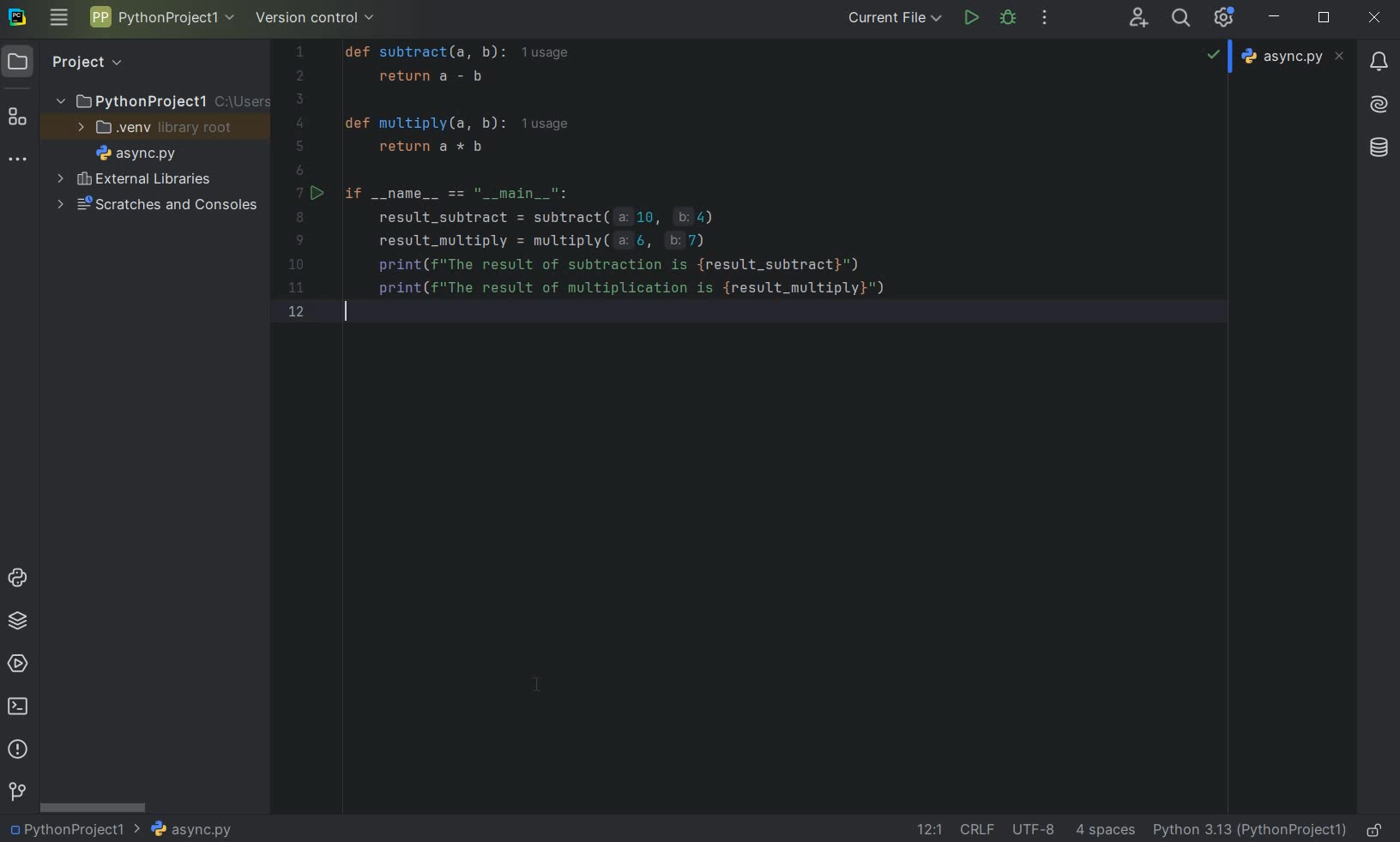 This screenshot has height=842, width=1400. I want to click on external libraries, so click(142, 181).